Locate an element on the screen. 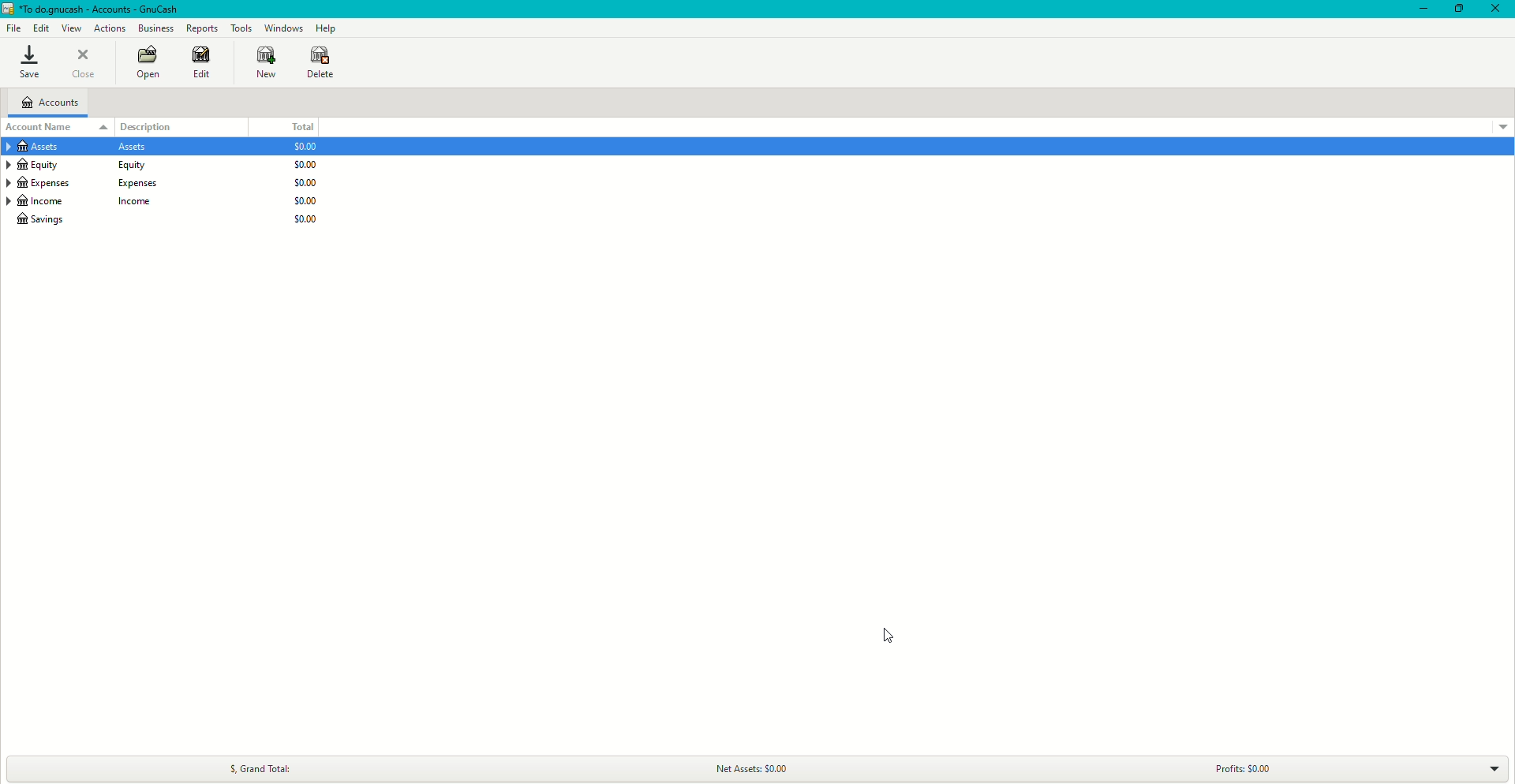 Image resolution: width=1515 pixels, height=784 pixels. Expenses is located at coordinates (84, 183).